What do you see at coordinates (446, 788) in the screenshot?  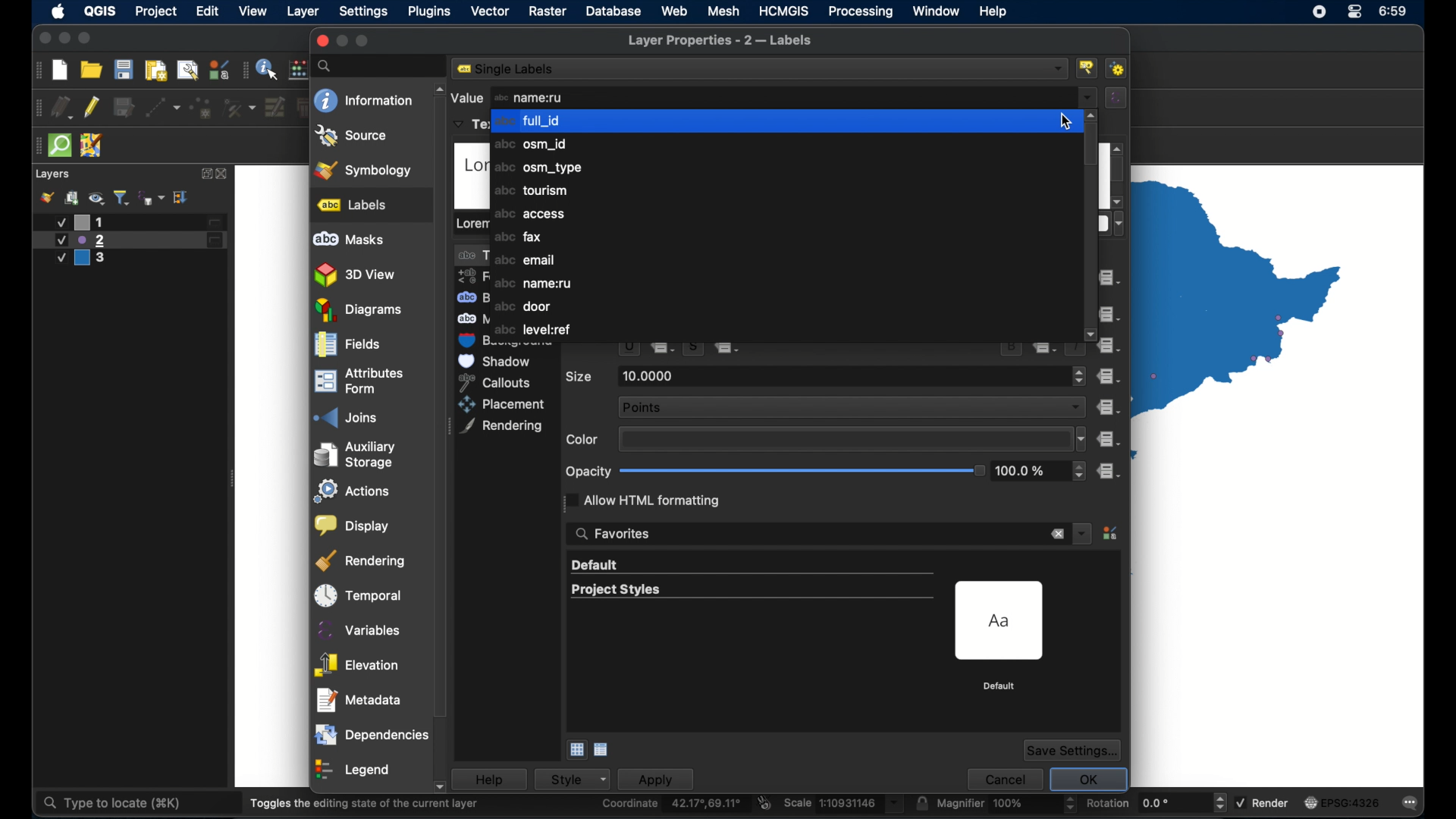 I see `scroll down arrow` at bounding box center [446, 788].